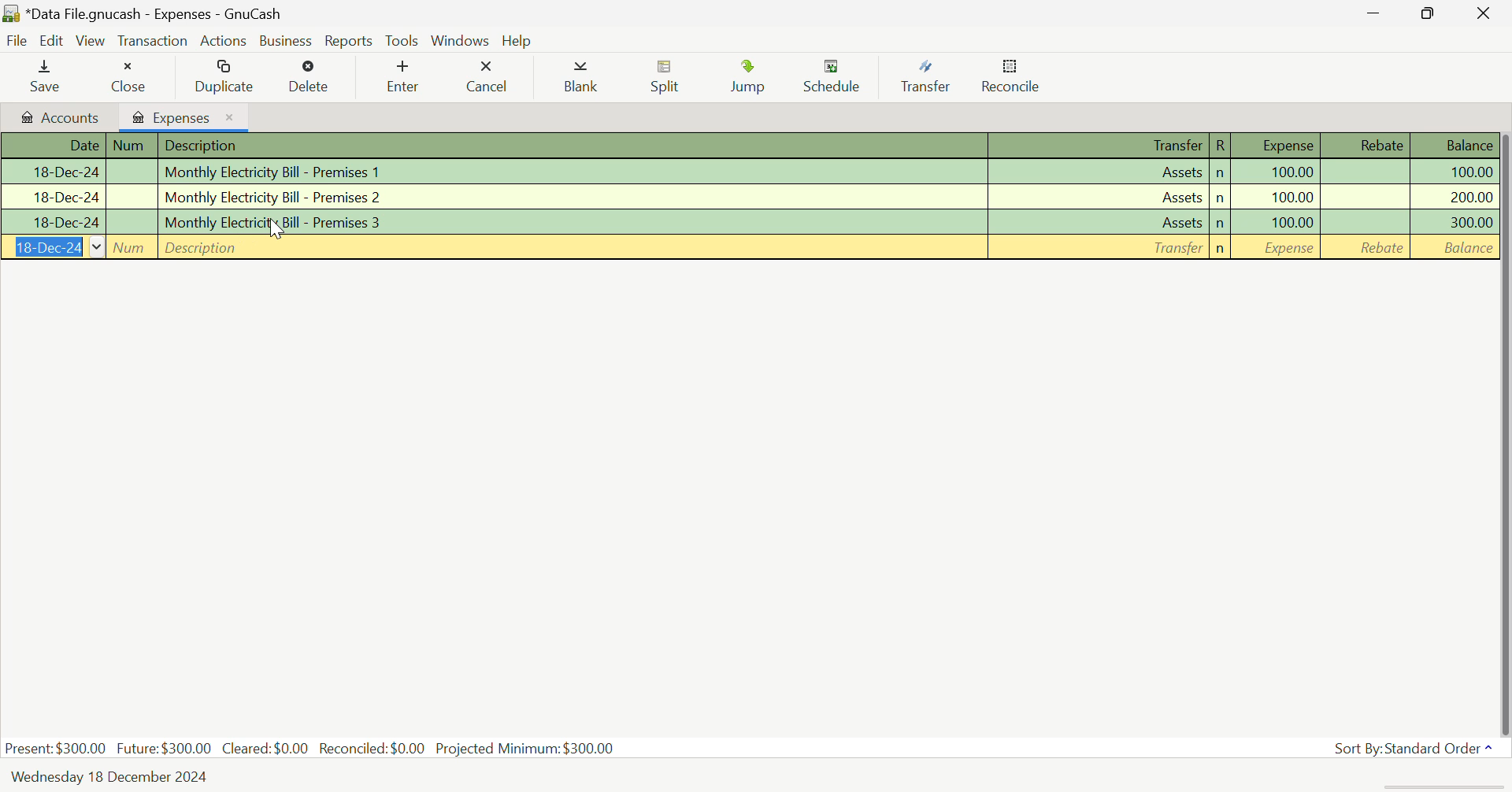 Image resolution: width=1512 pixels, height=792 pixels. Describe the element at coordinates (312, 749) in the screenshot. I see `Present: $300.00 Future: $300.00 Cleared:$0.00 Reconciled: $0.00 Projected Minimum: $300.00` at that location.